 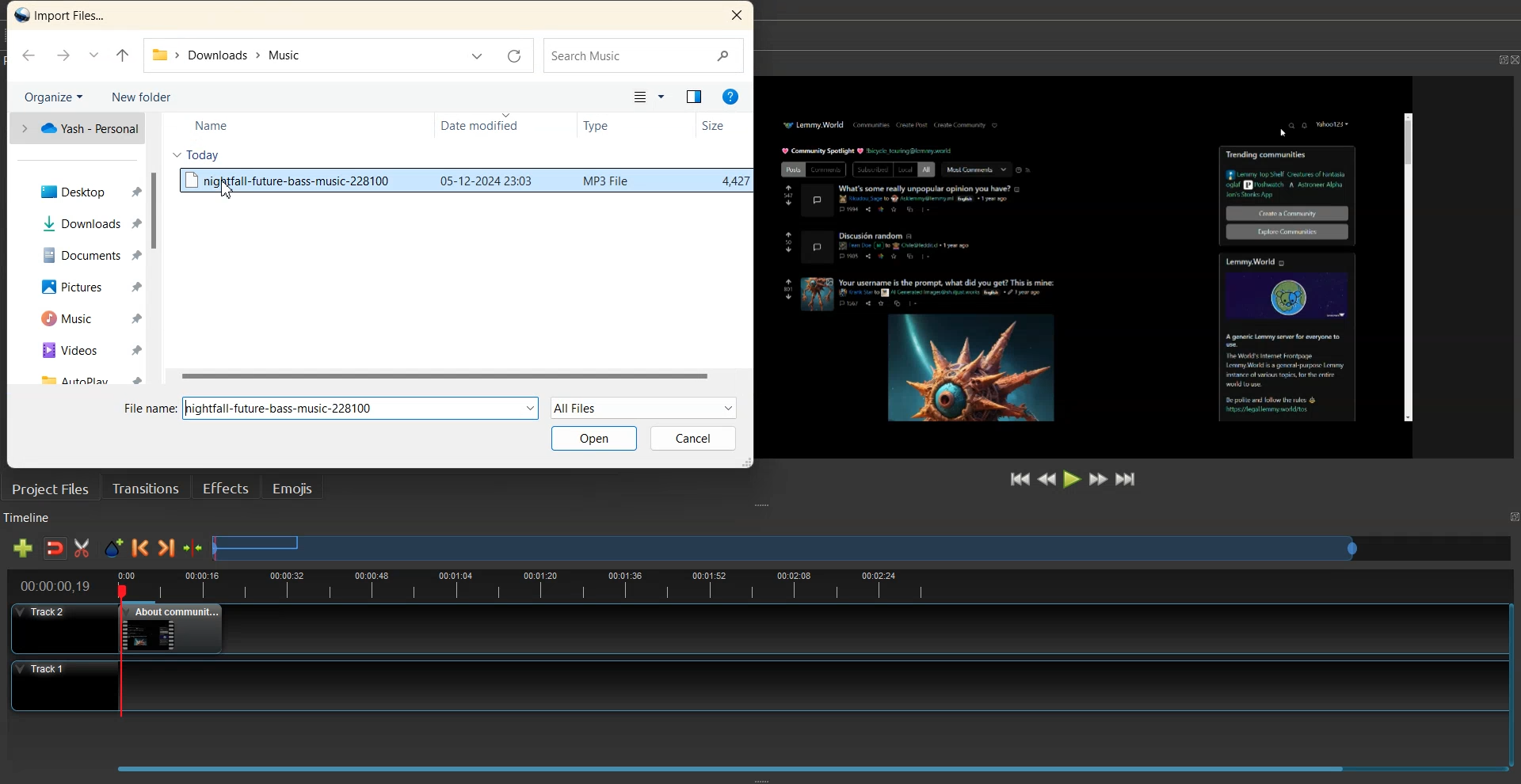 What do you see at coordinates (83, 548) in the screenshot?
I see `Razor Track` at bounding box center [83, 548].